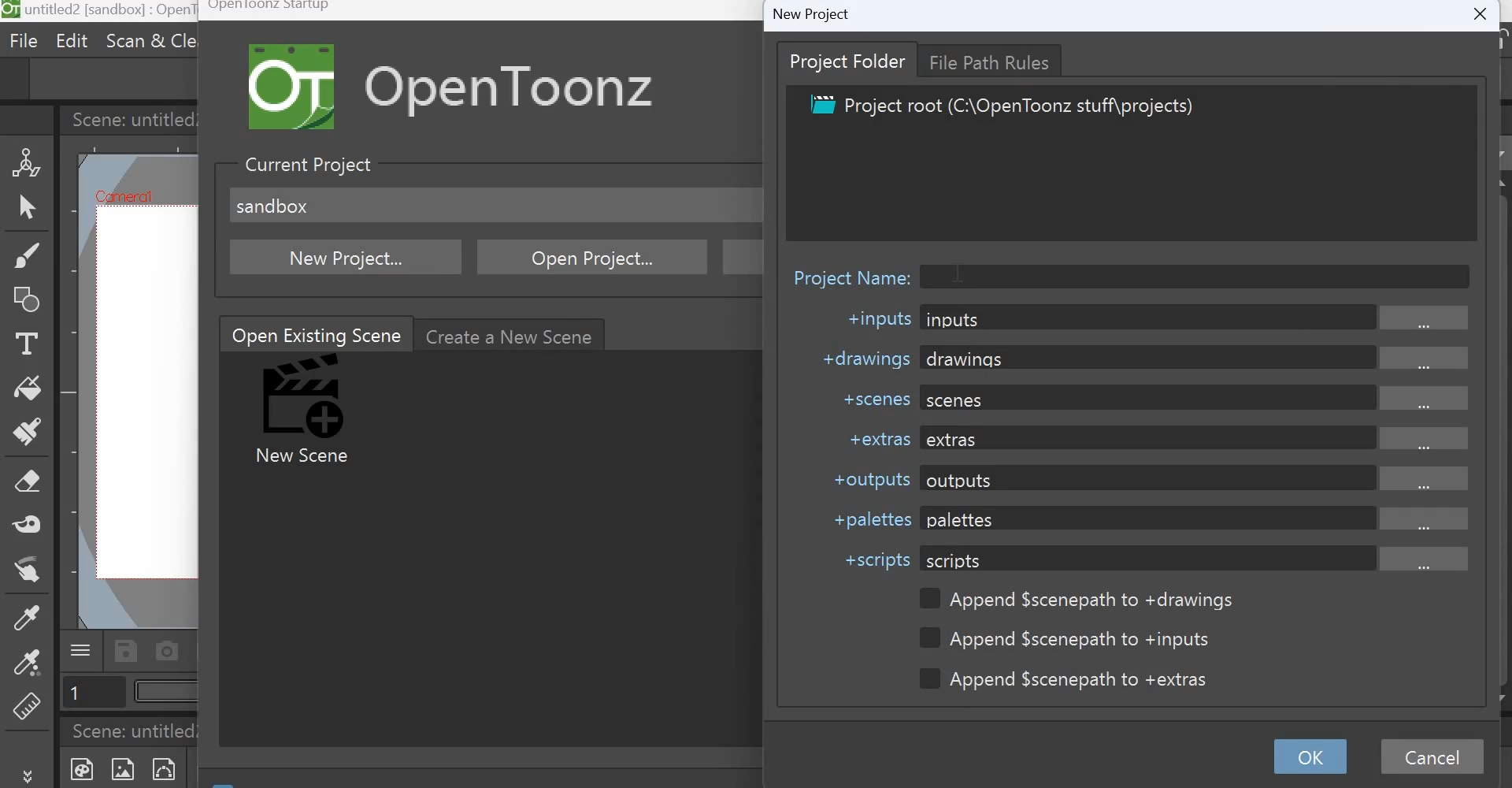 Image resolution: width=1512 pixels, height=788 pixels. What do you see at coordinates (1077, 600) in the screenshot?
I see `Append $scenepath to +drawings` at bounding box center [1077, 600].